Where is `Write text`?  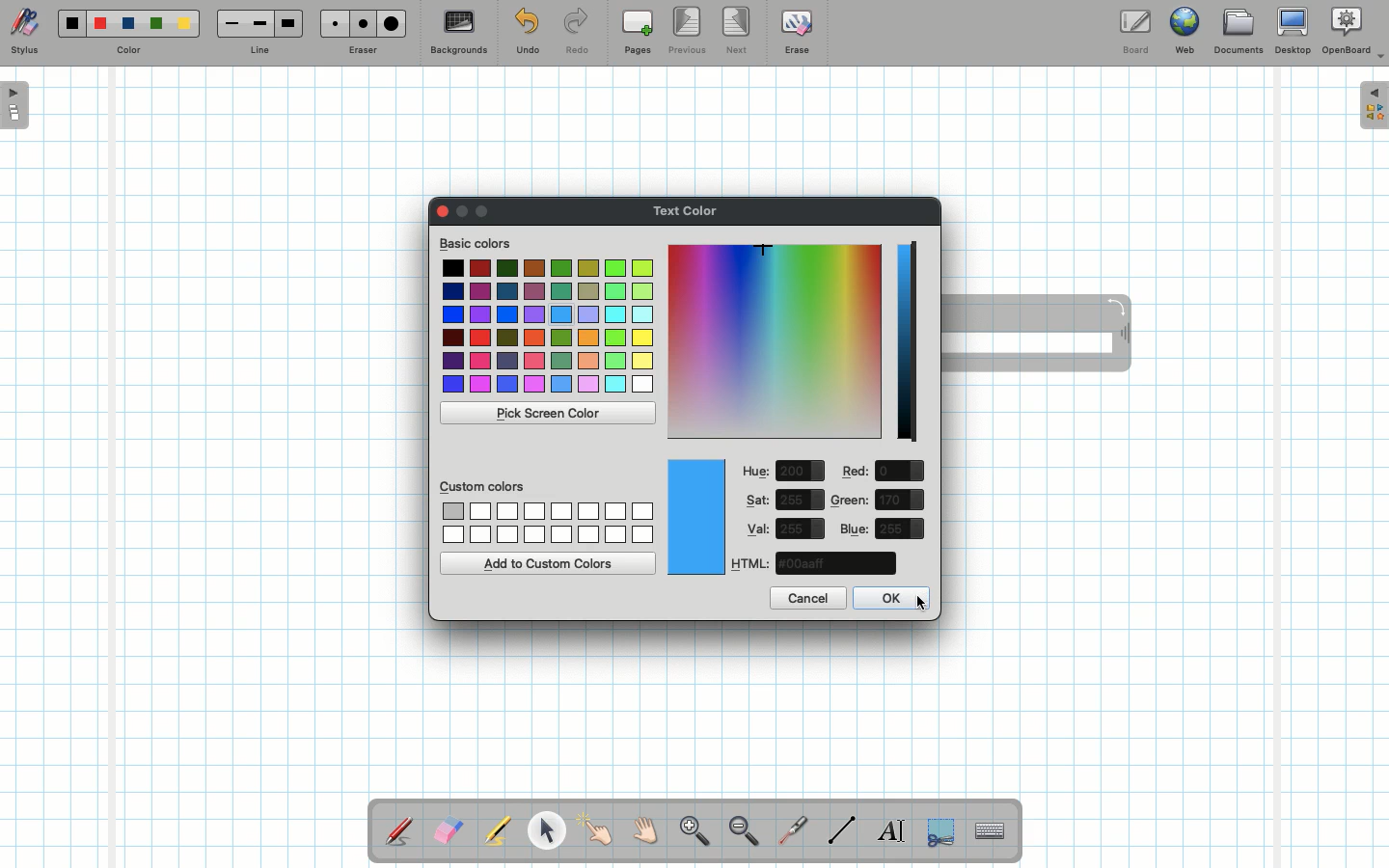
Write text is located at coordinates (893, 827).